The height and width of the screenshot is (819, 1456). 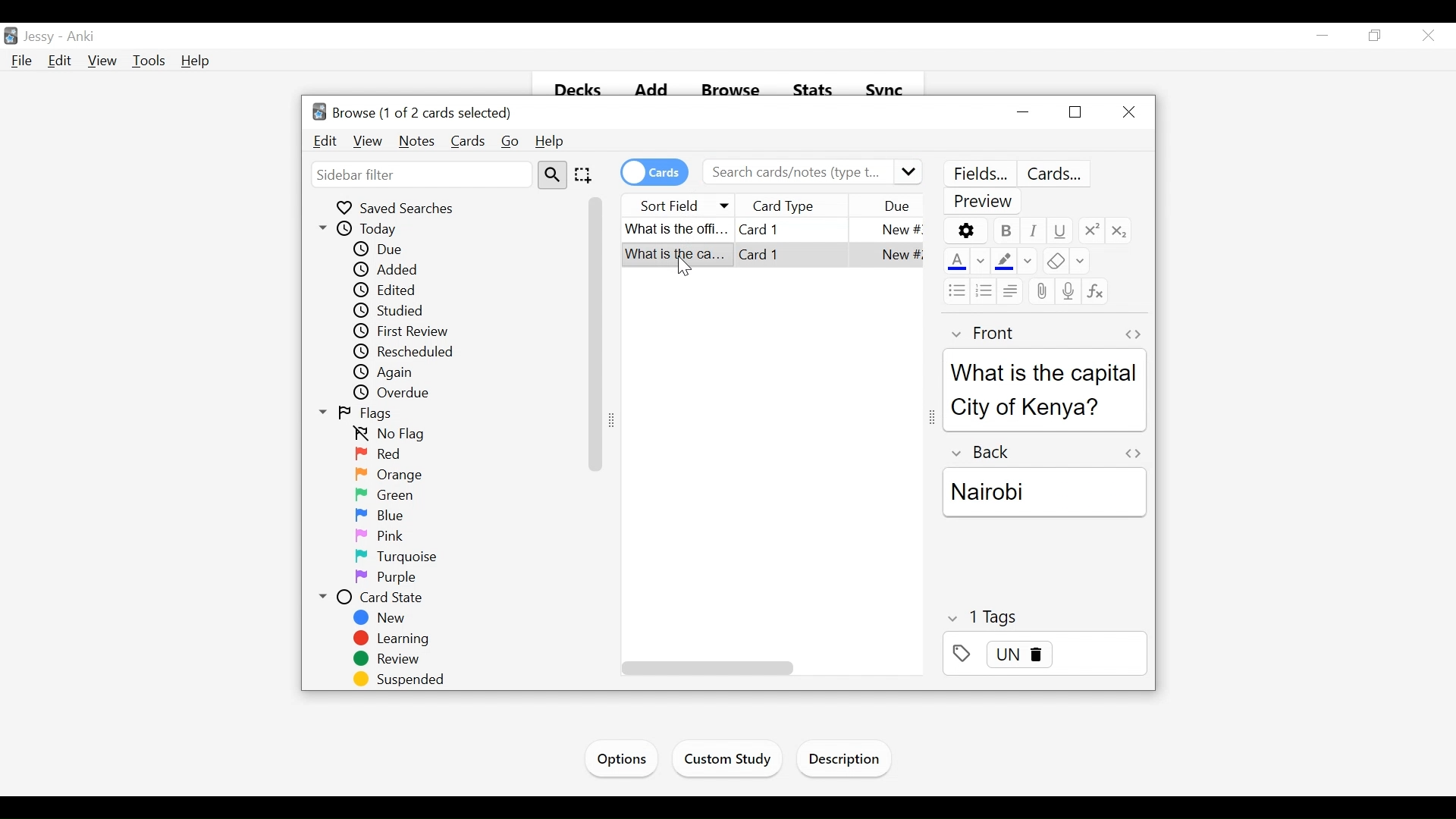 I want to click on Flags, so click(x=359, y=415).